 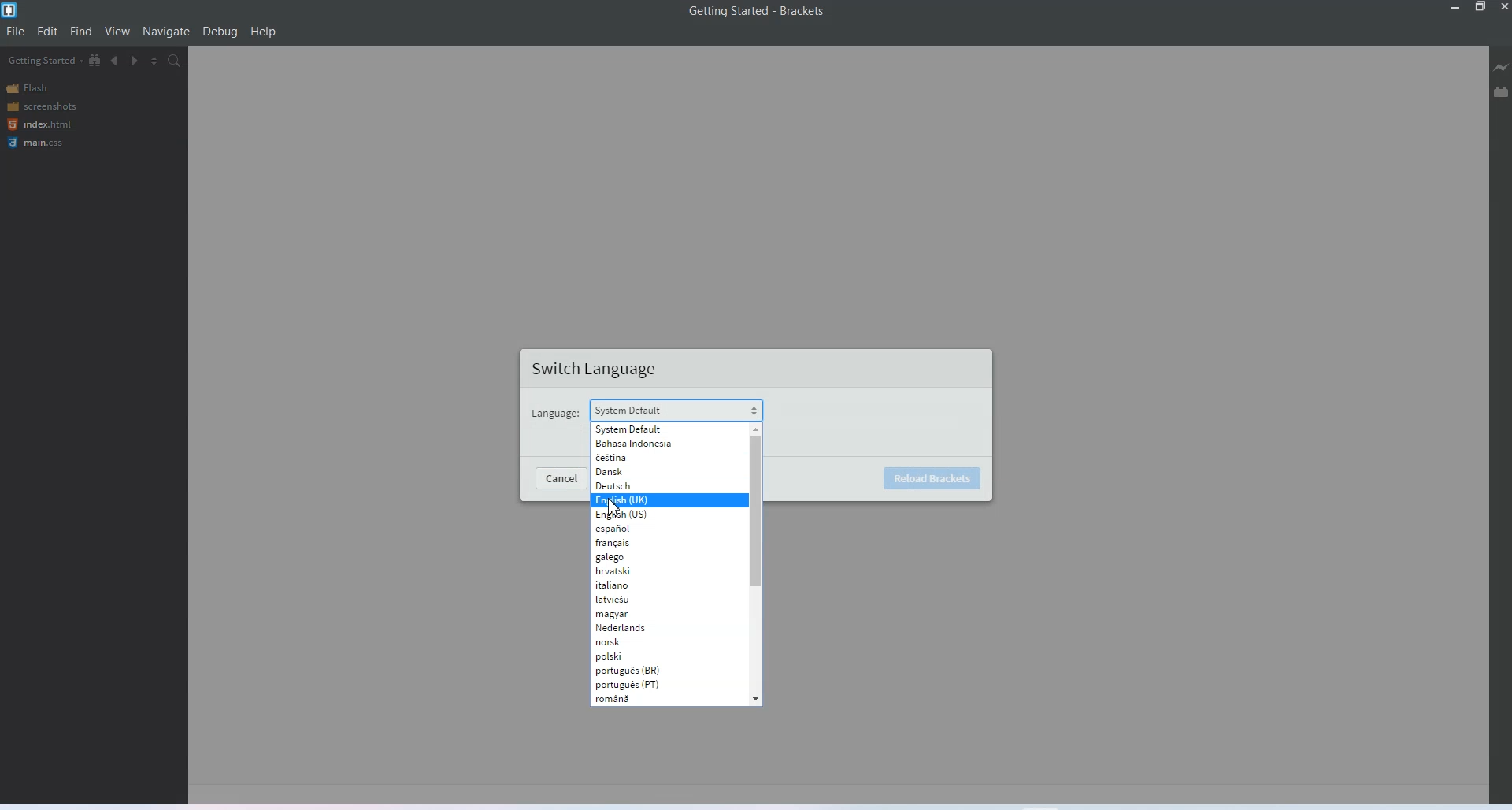 What do you see at coordinates (1501, 91) in the screenshot?
I see `Extension manager` at bounding box center [1501, 91].